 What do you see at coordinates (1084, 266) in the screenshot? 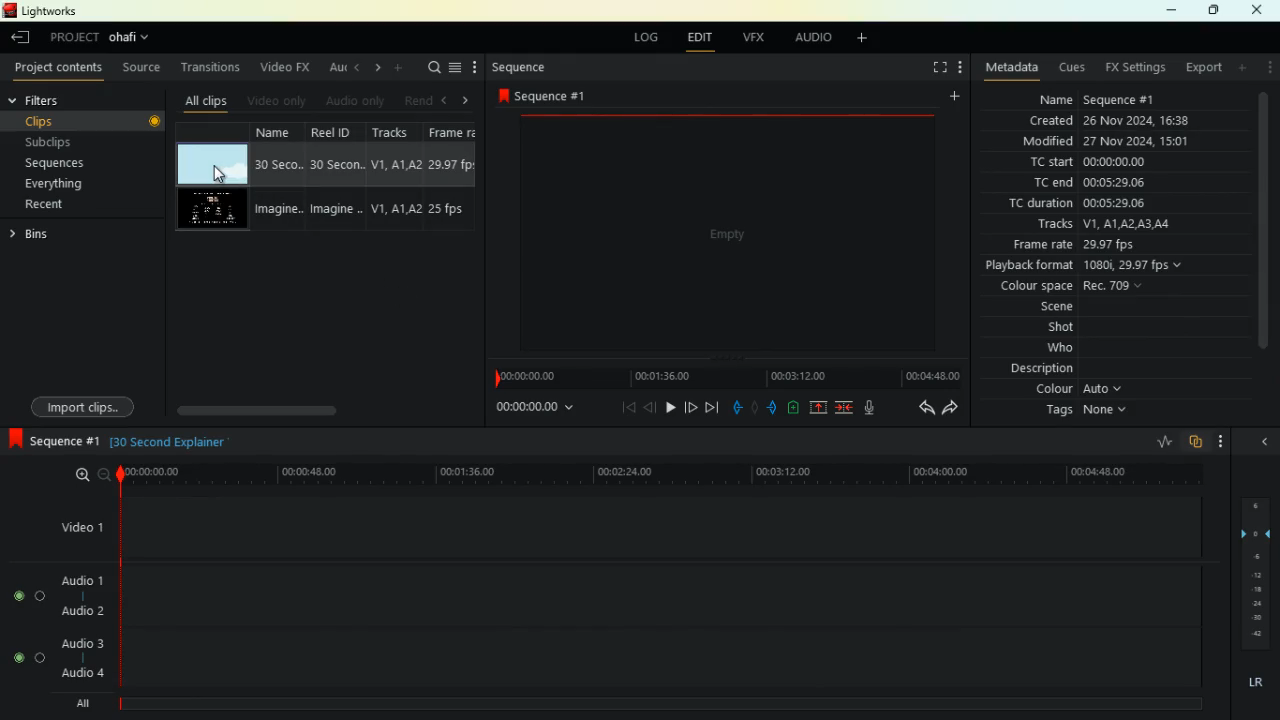
I see `playback format 1080i 29.97 fps` at bounding box center [1084, 266].